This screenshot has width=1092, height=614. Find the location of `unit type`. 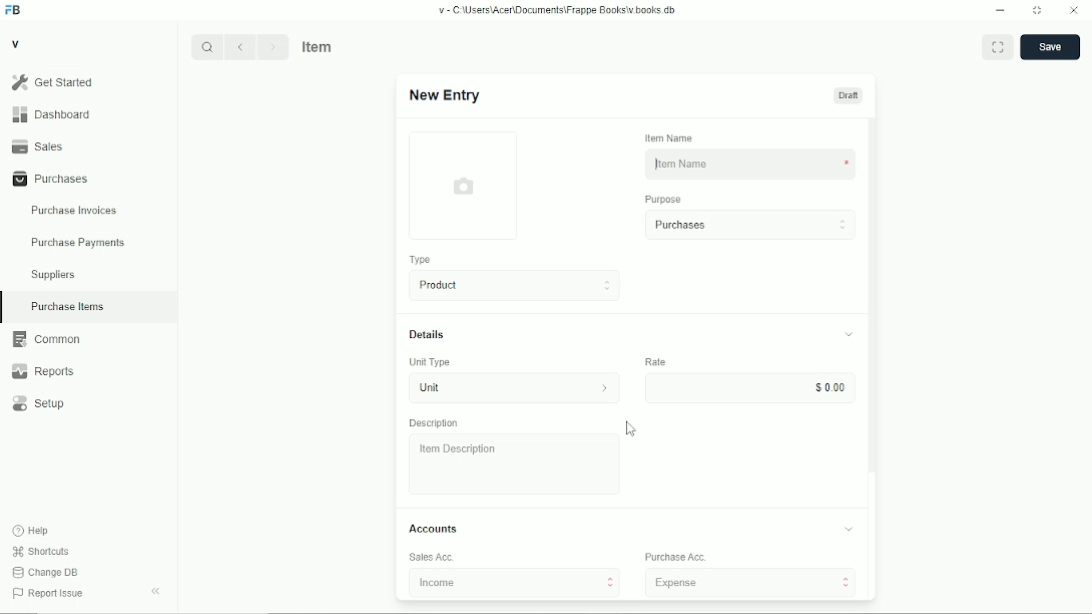

unit type is located at coordinates (430, 362).